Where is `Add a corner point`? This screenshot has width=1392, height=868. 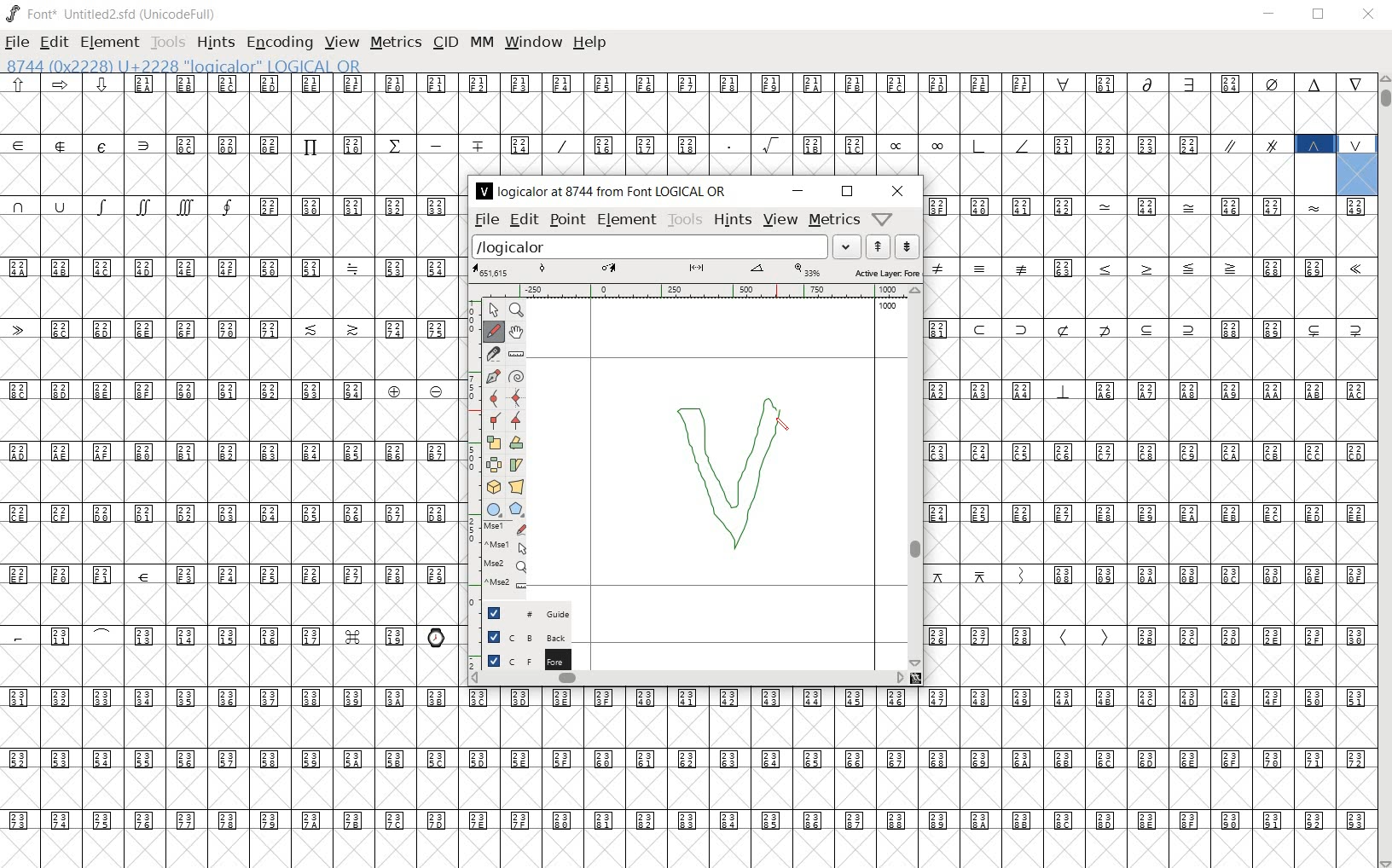 Add a corner point is located at coordinates (515, 420).